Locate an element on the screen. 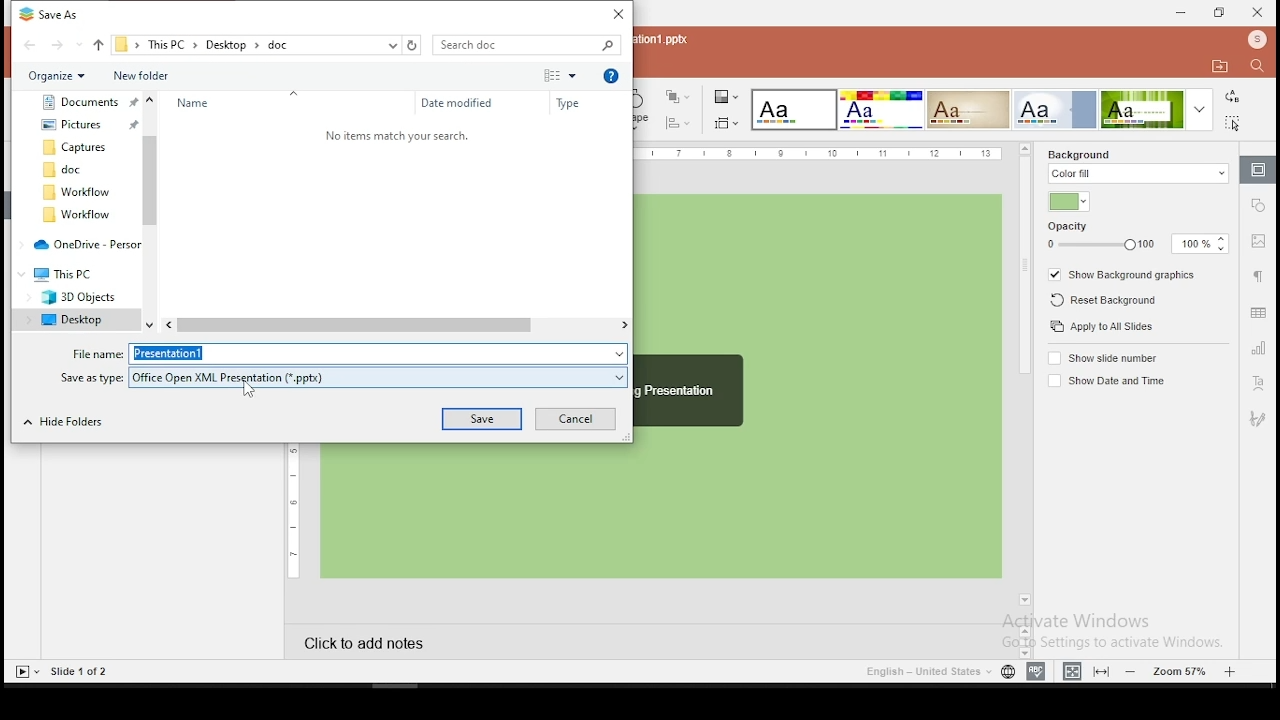  select color theme is located at coordinates (1144, 110).